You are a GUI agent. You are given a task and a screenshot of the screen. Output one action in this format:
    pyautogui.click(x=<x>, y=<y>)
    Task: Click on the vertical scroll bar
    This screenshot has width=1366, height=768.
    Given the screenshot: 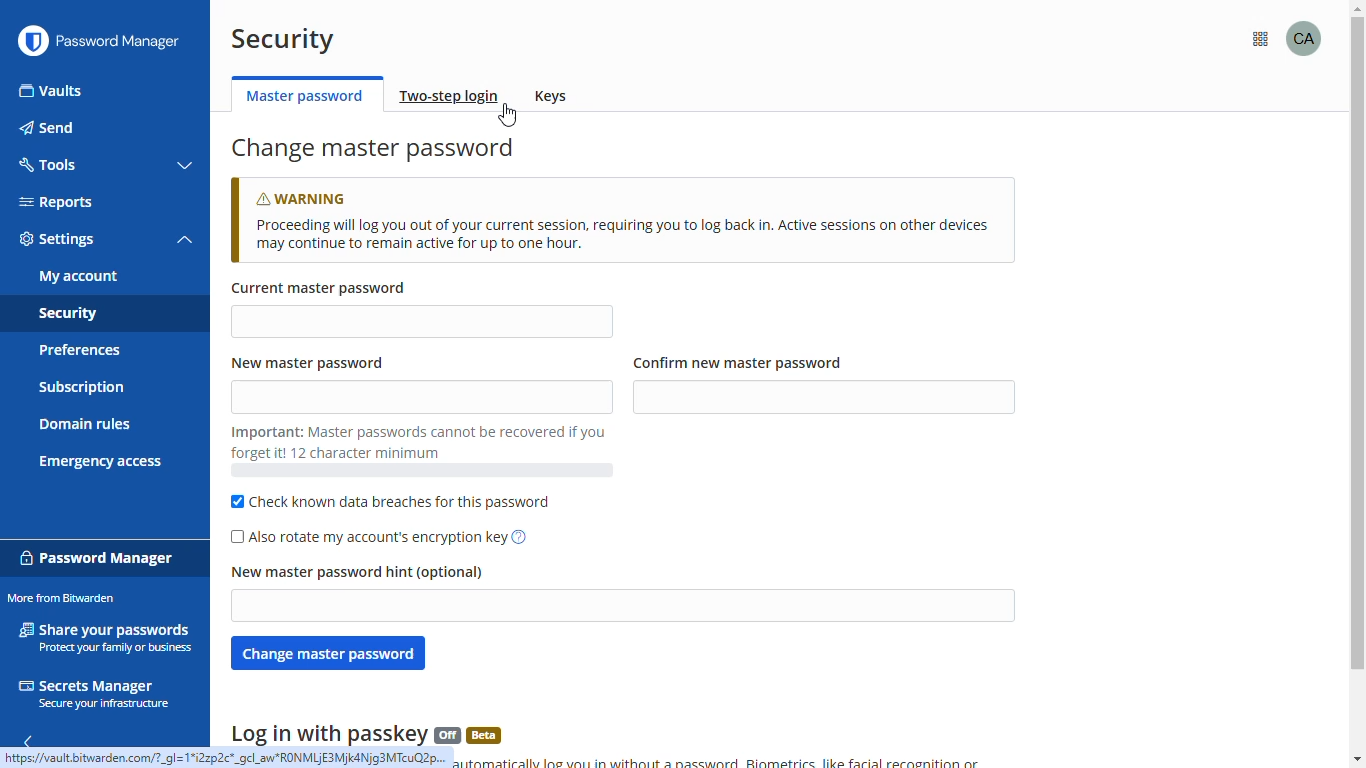 What is the action you would take?
    pyautogui.click(x=1352, y=401)
    